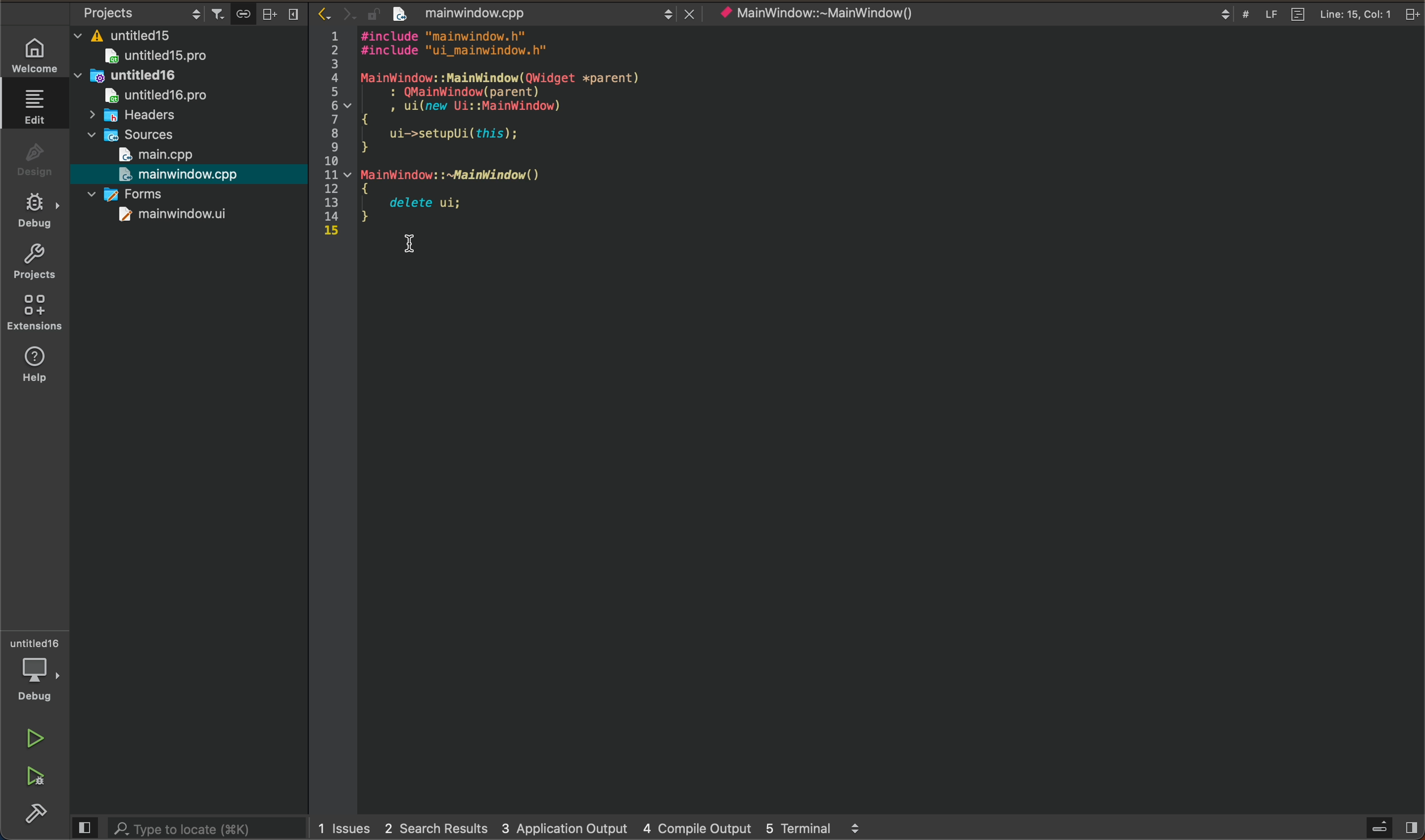 Image resolution: width=1425 pixels, height=840 pixels. What do you see at coordinates (146, 97) in the screenshot?
I see `untitled16.pro` at bounding box center [146, 97].